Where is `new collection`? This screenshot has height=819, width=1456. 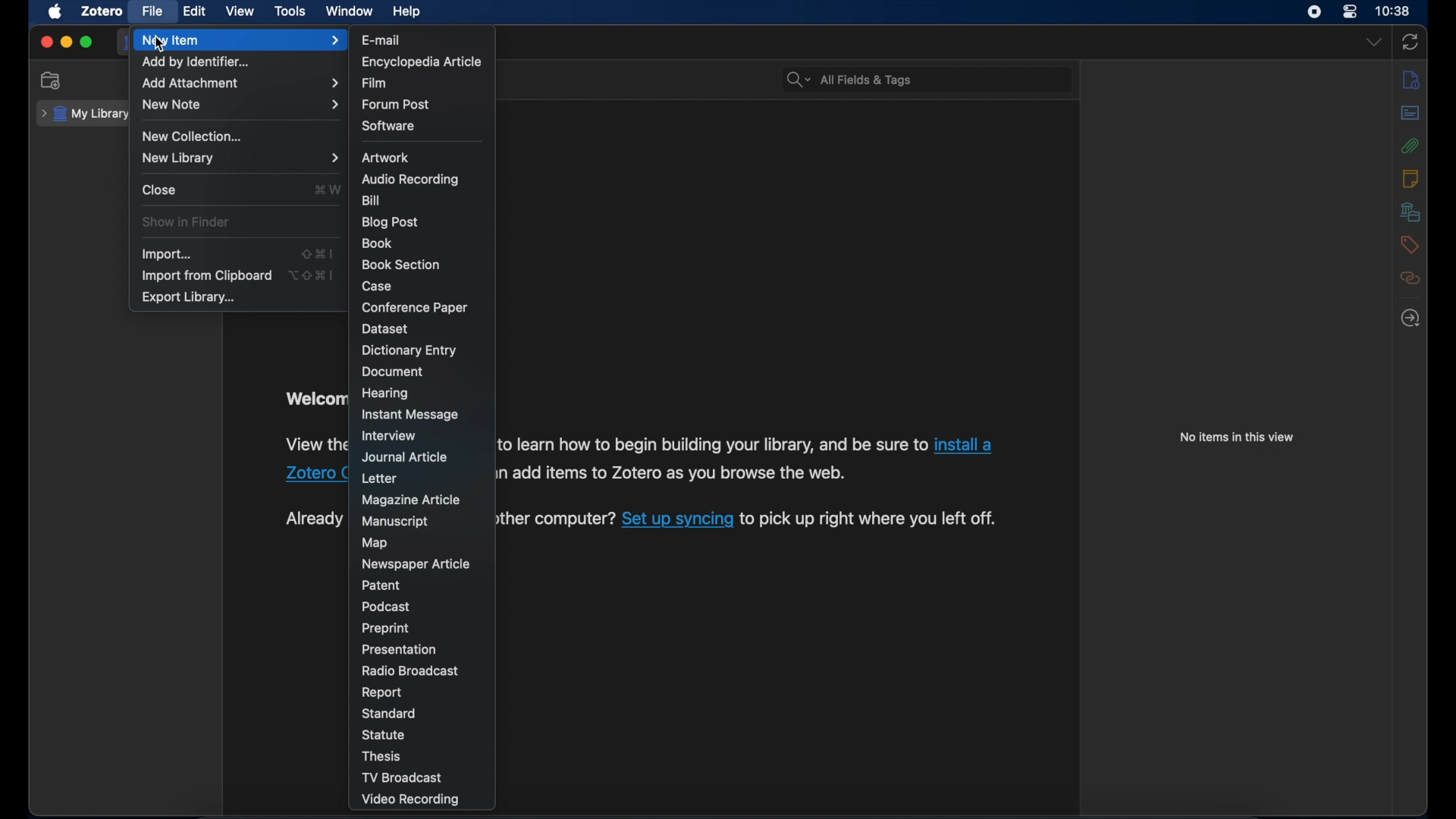 new collection is located at coordinates (196, 136).